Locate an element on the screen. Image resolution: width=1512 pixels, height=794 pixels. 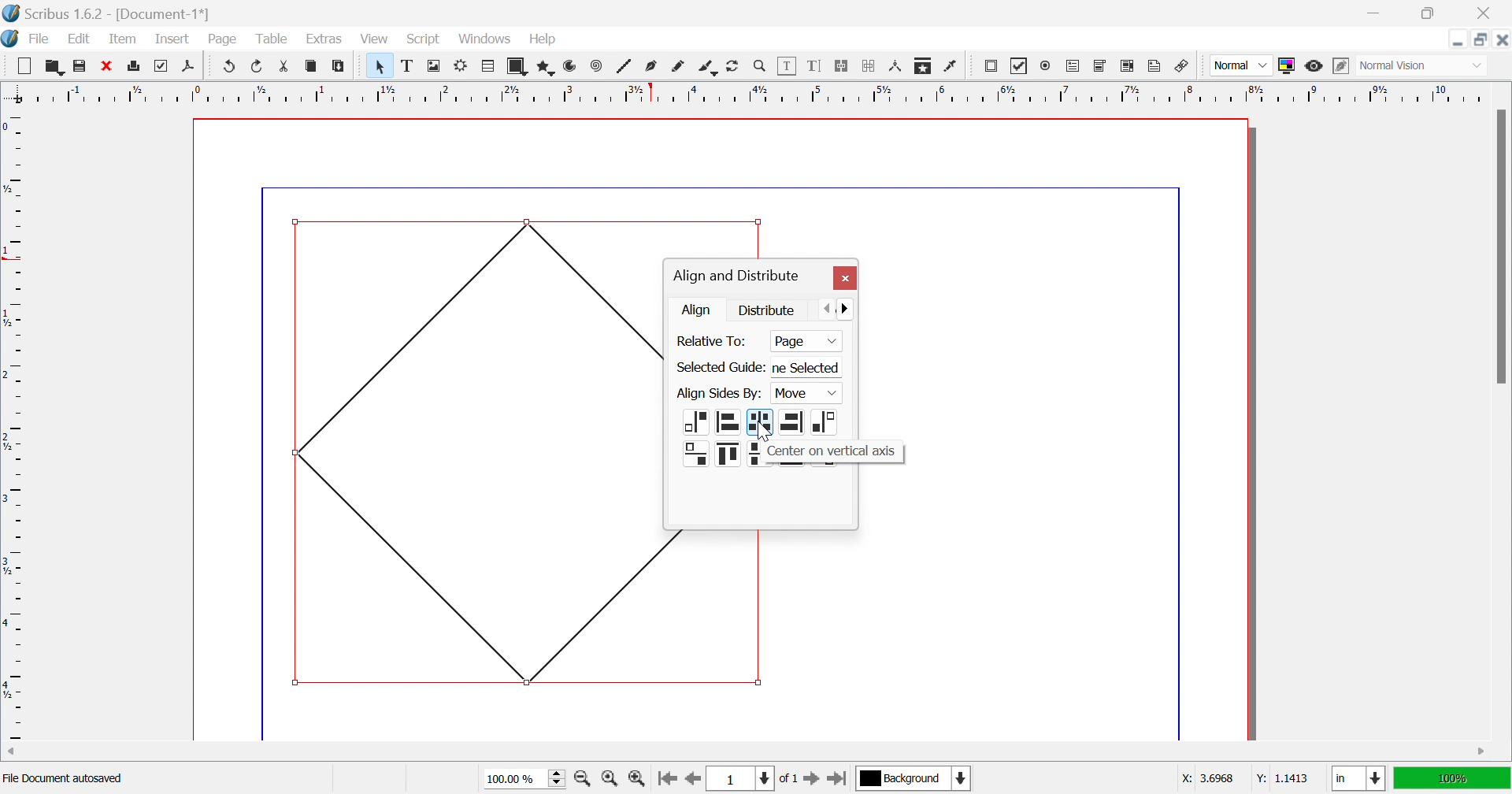
background is located at coordinates (915, 777).